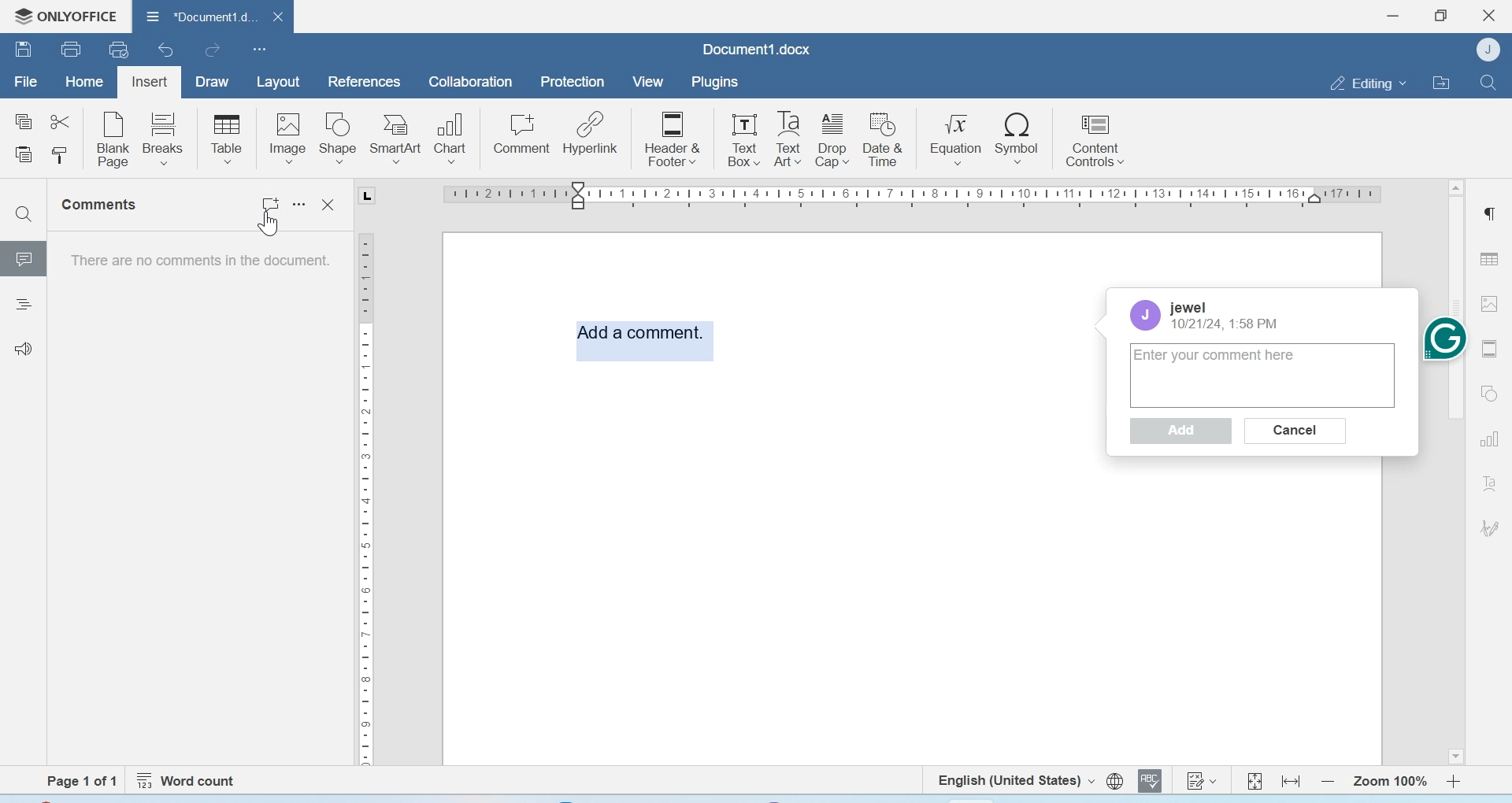 The width and height of the screenshot is (1512, 803). I want to click on Insert, so click(149, 83).